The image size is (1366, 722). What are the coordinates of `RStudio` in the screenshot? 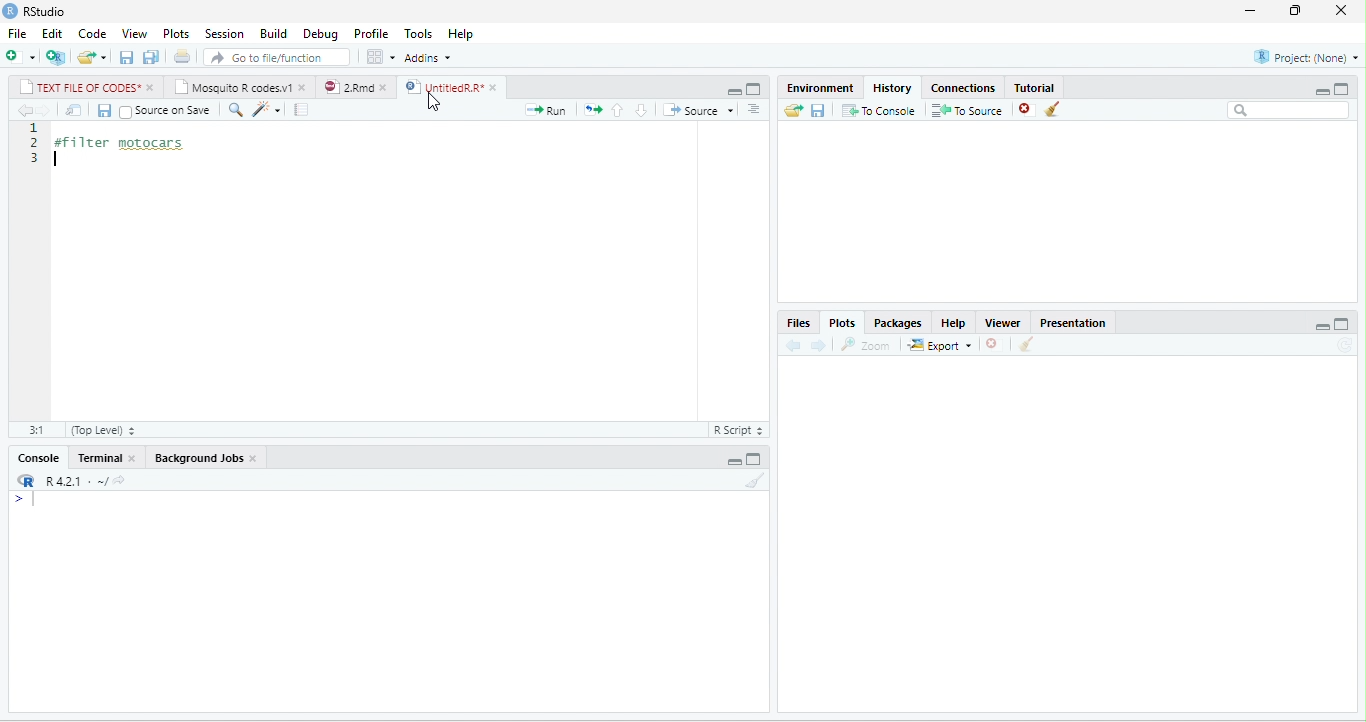 It's located at (44, 11).